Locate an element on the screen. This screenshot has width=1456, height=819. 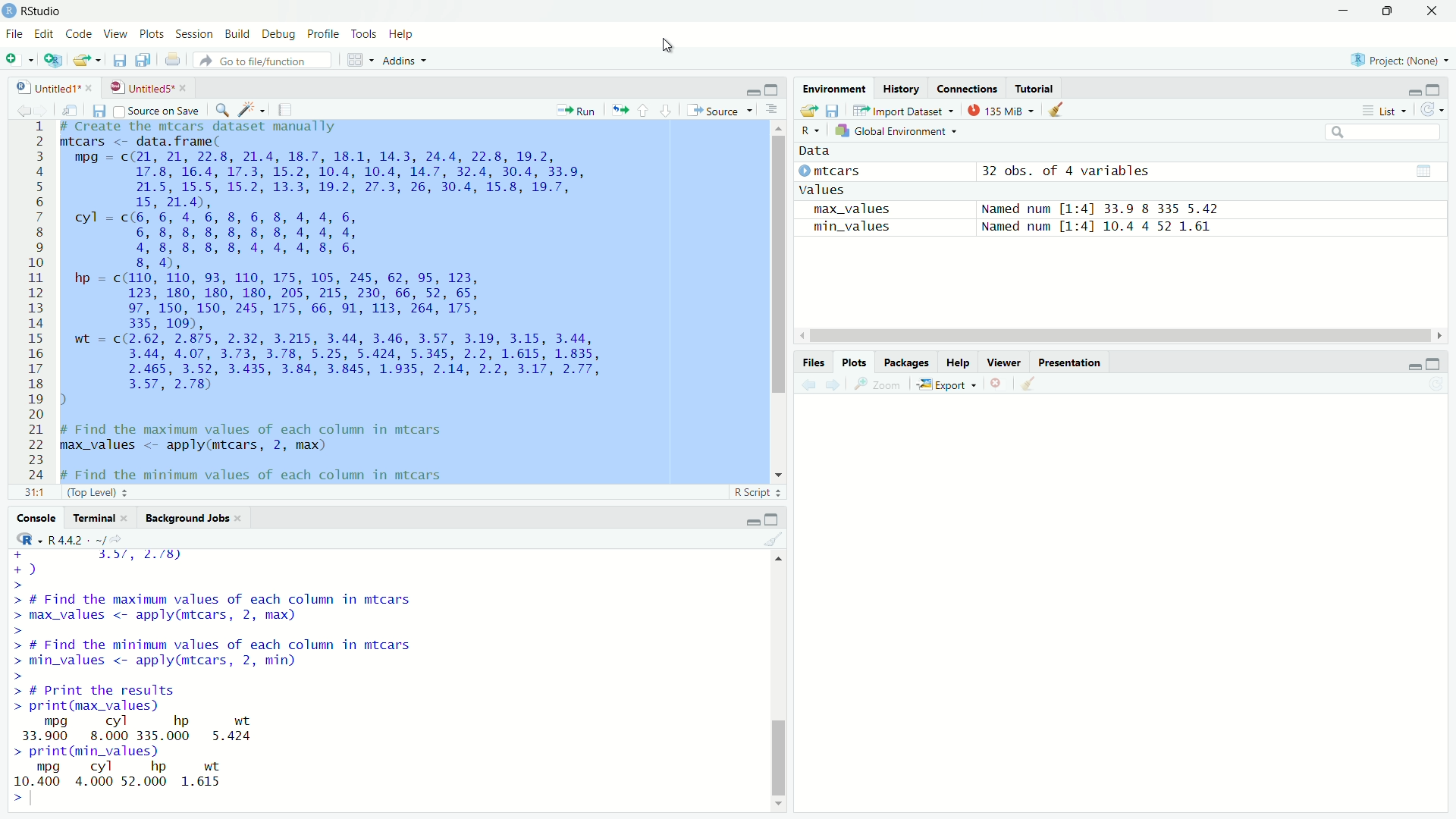
Debug is located at coordinates (278, 33).